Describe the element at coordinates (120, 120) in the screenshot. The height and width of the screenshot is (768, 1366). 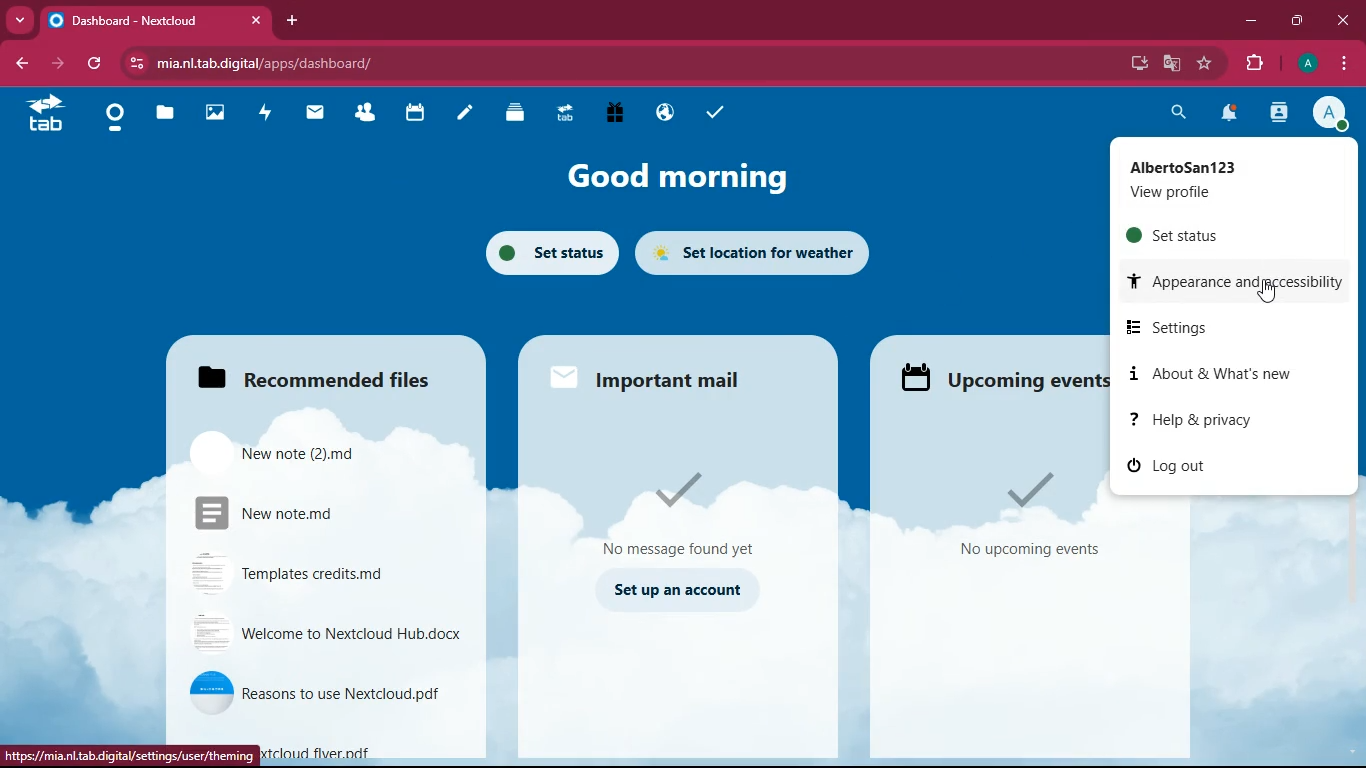
I see `home` at that location.